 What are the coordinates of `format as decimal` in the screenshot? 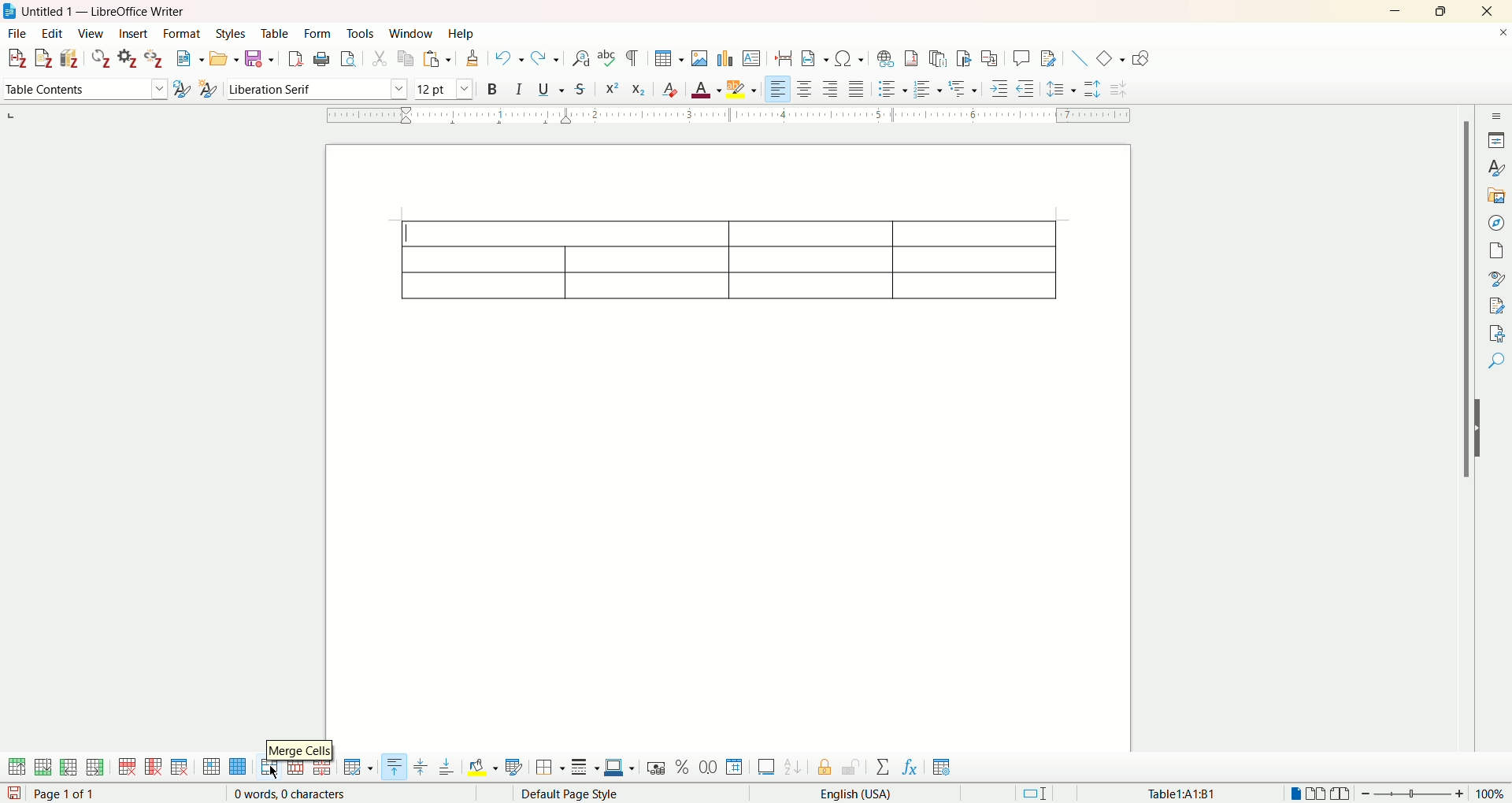 It's located at (712, 768).